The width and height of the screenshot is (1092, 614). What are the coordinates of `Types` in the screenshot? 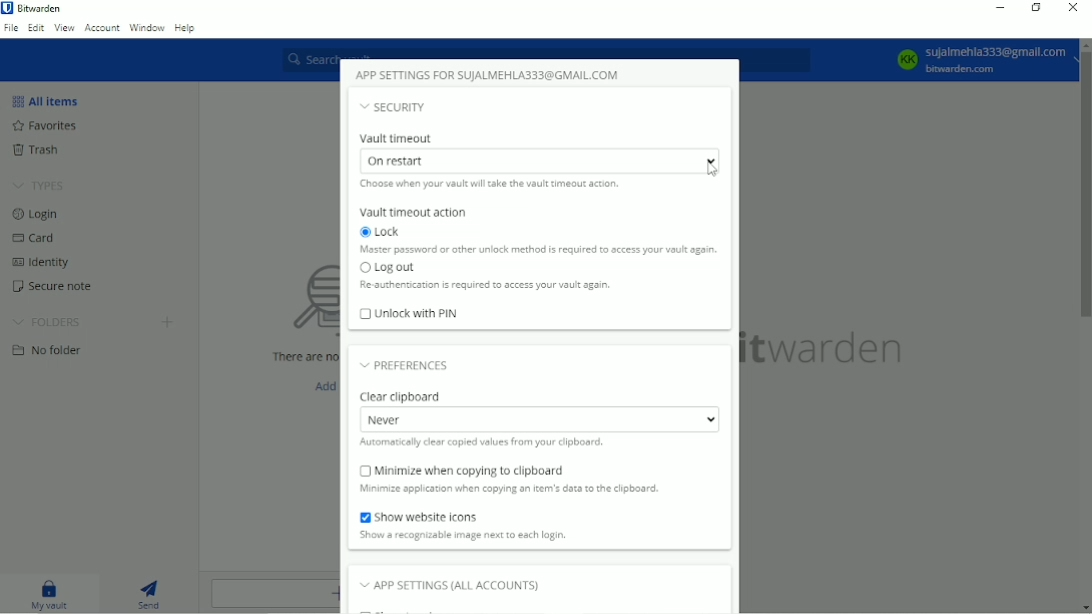 It's located at (40, 185).